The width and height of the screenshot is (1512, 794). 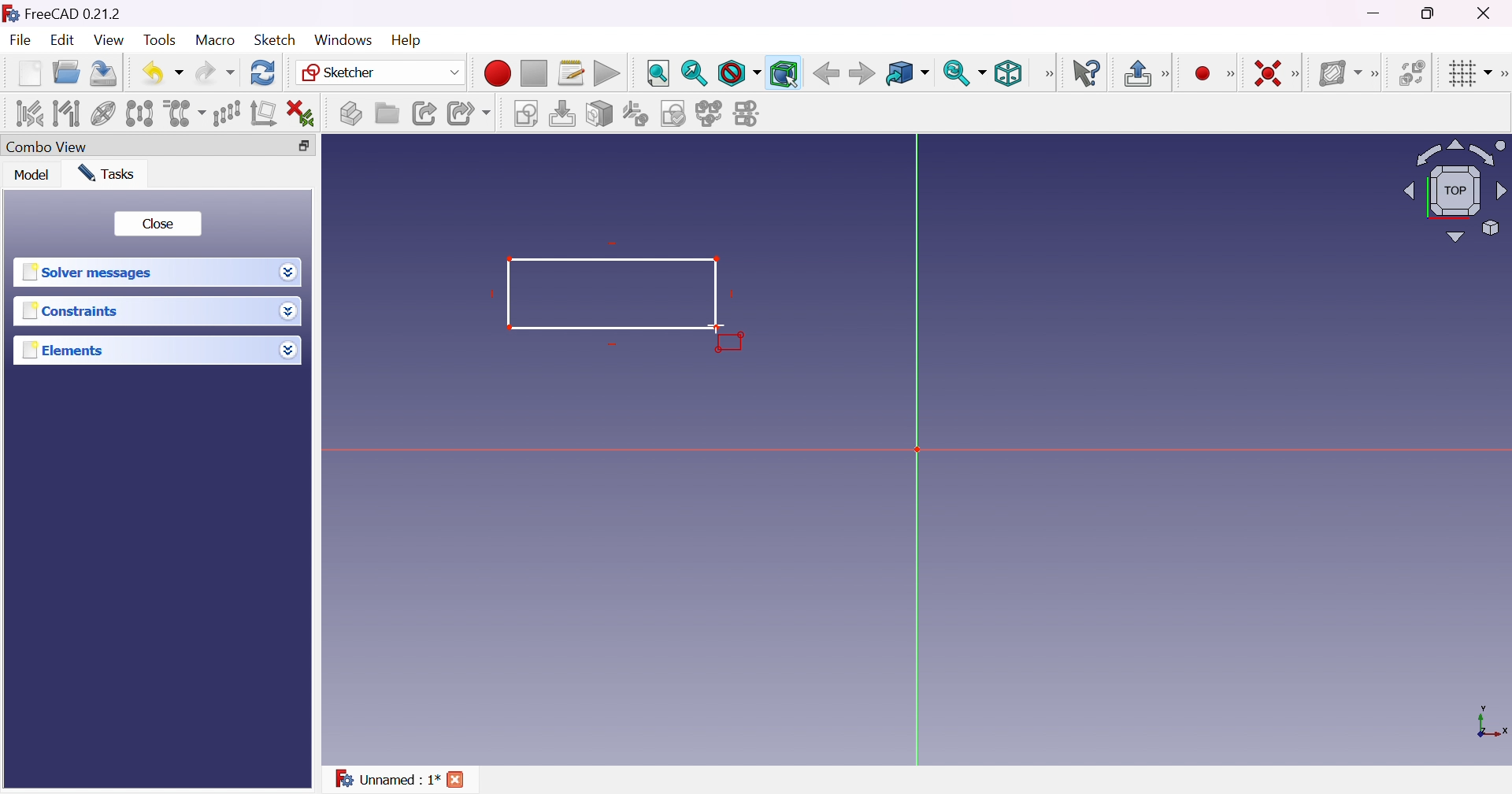 I want to click on Leave sketch, so click(x=1136, y=73).